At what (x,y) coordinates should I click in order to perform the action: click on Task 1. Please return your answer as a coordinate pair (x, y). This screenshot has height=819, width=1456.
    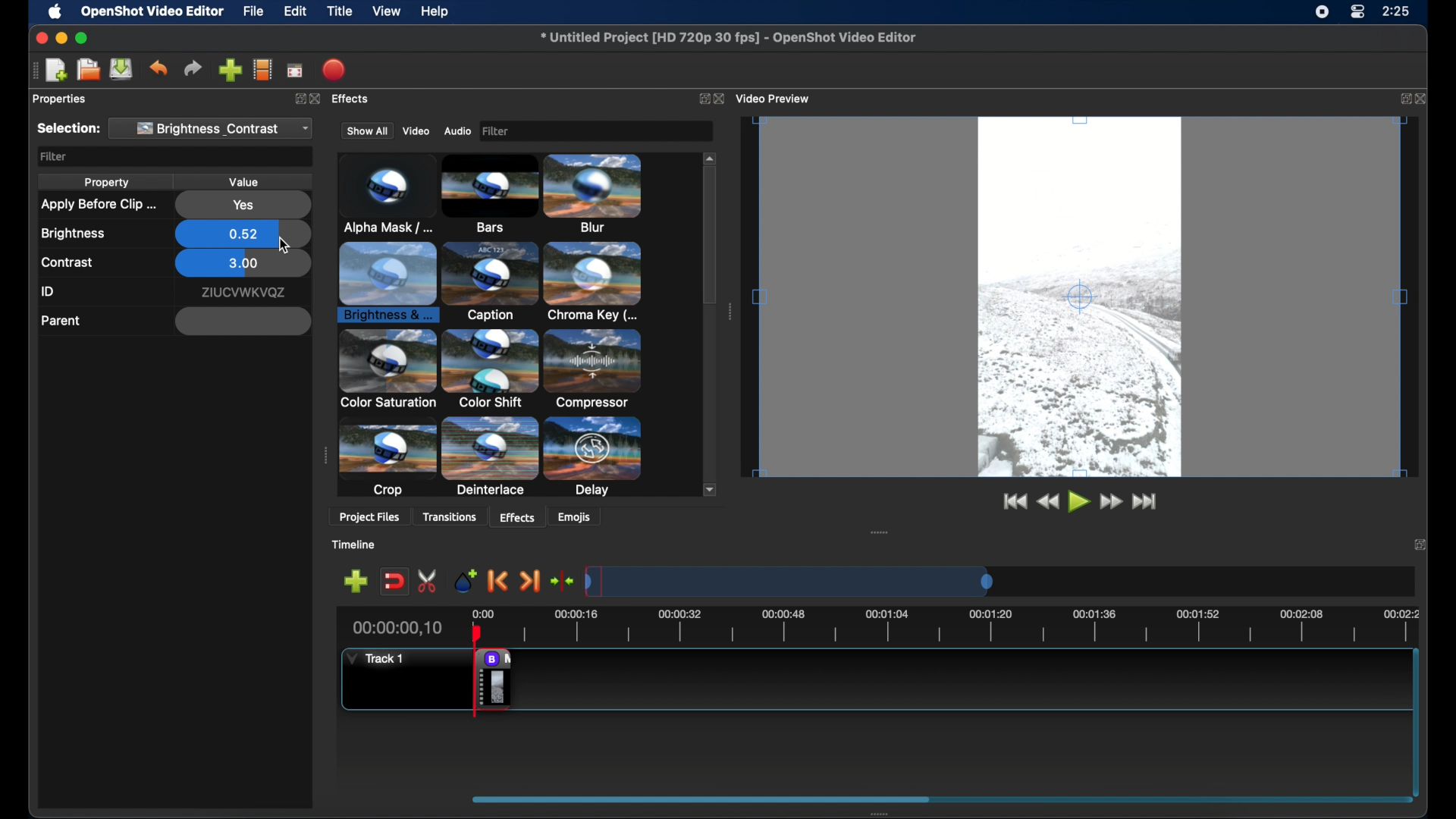
    Looking at the image, I should click on (381, 660).